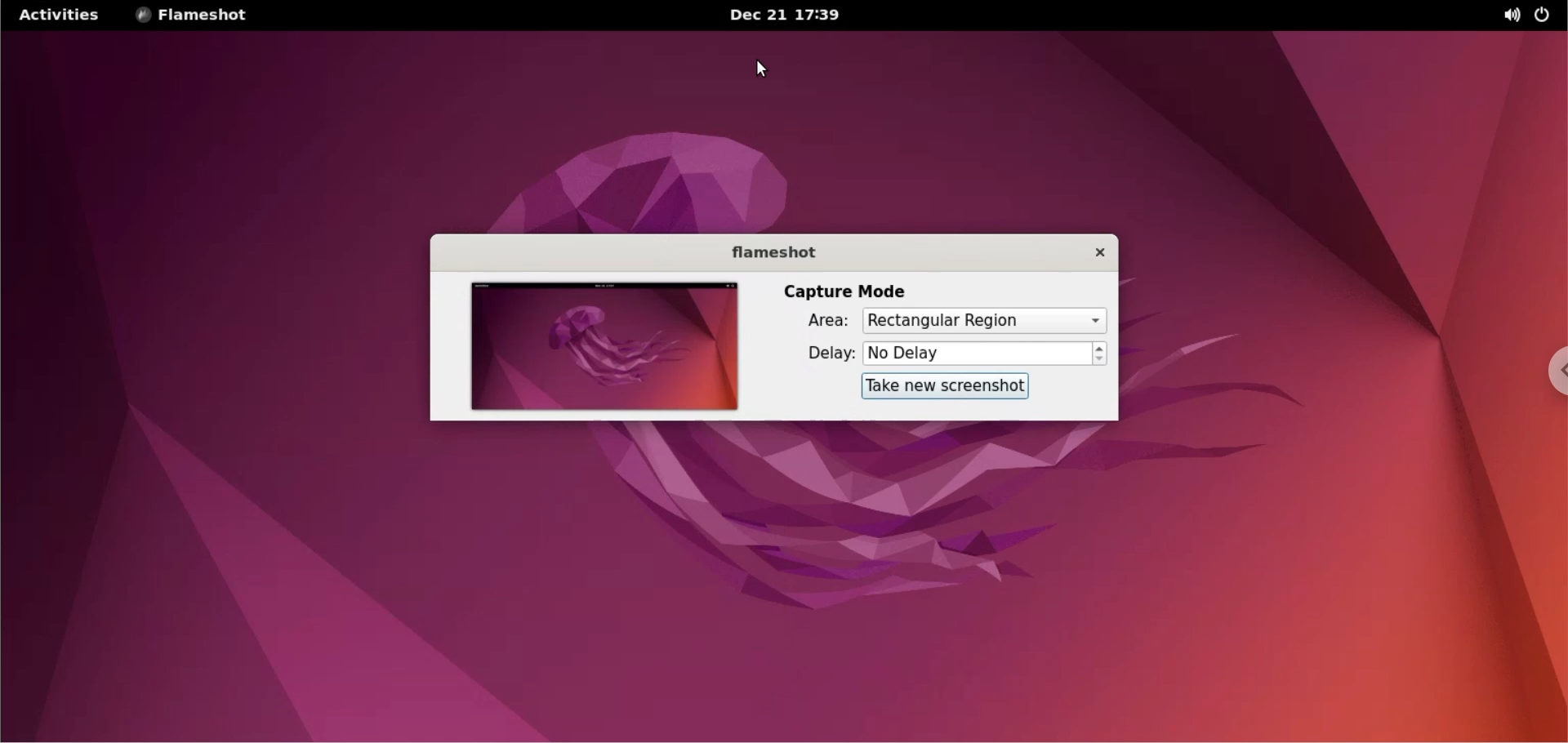 The image size is (1568, 743). I want to click on cursor, so click(762, 69).